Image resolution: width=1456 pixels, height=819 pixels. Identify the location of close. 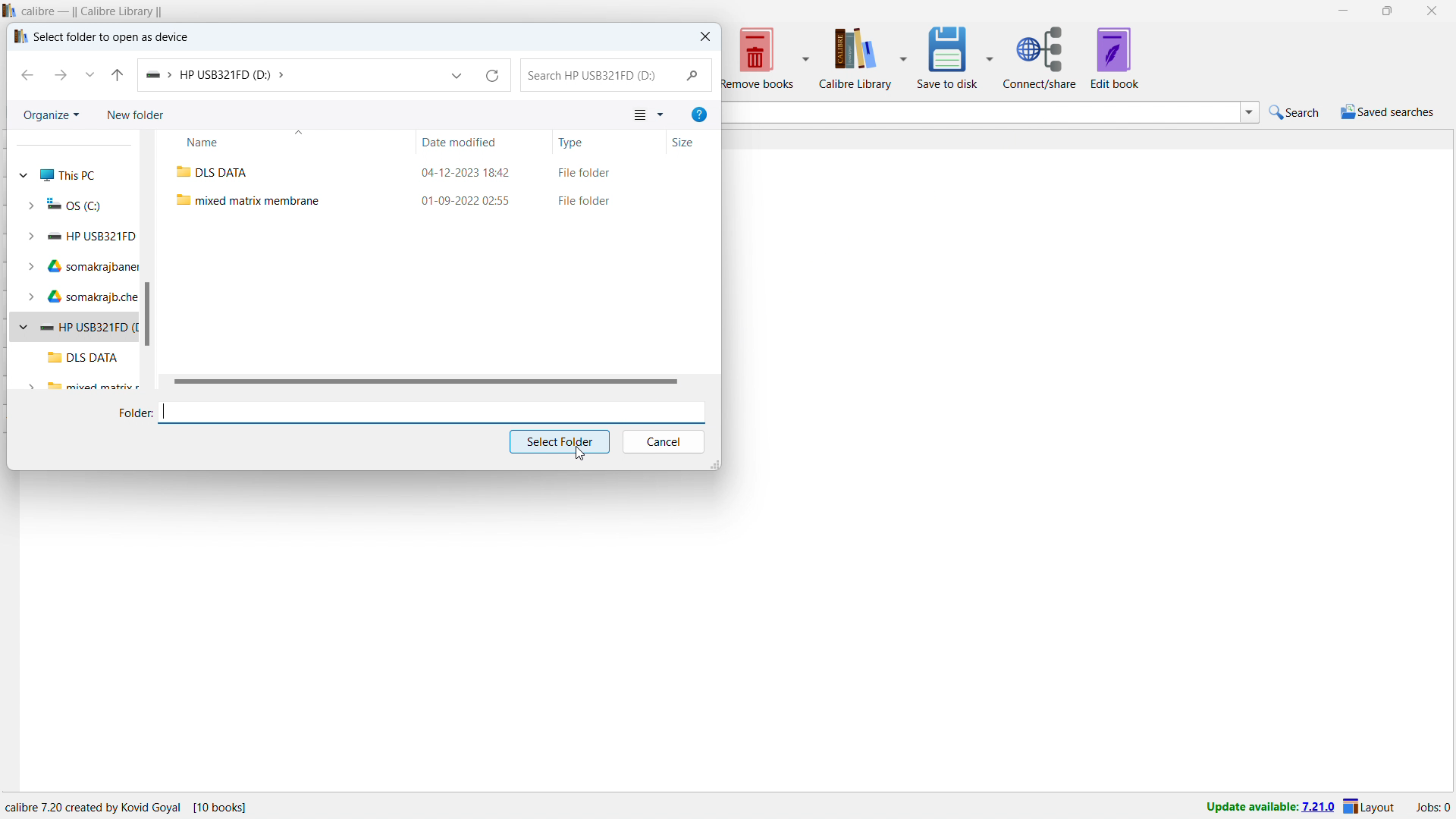
(705, 35).